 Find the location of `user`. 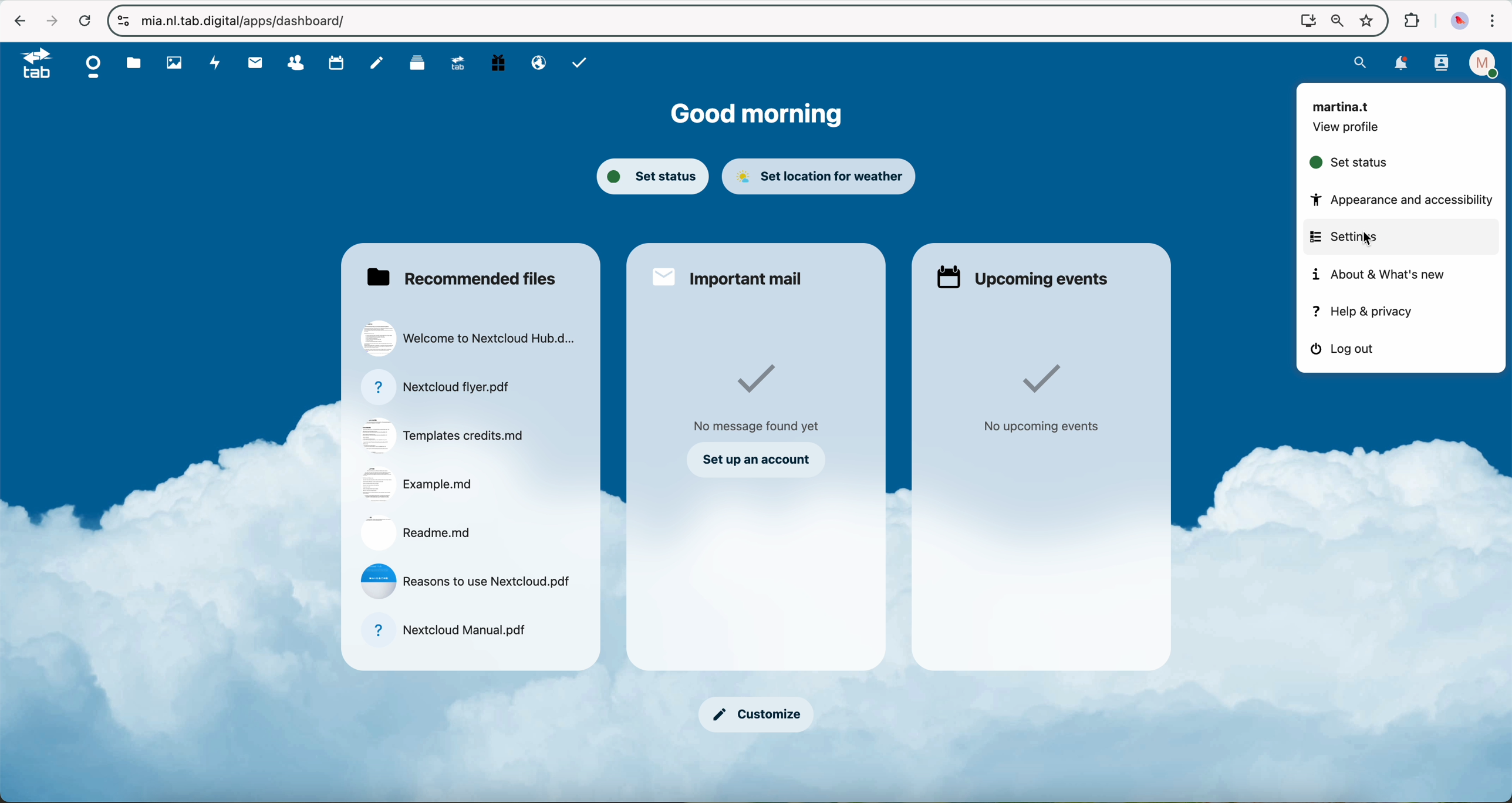

user is located at coordinates (1343, 105).